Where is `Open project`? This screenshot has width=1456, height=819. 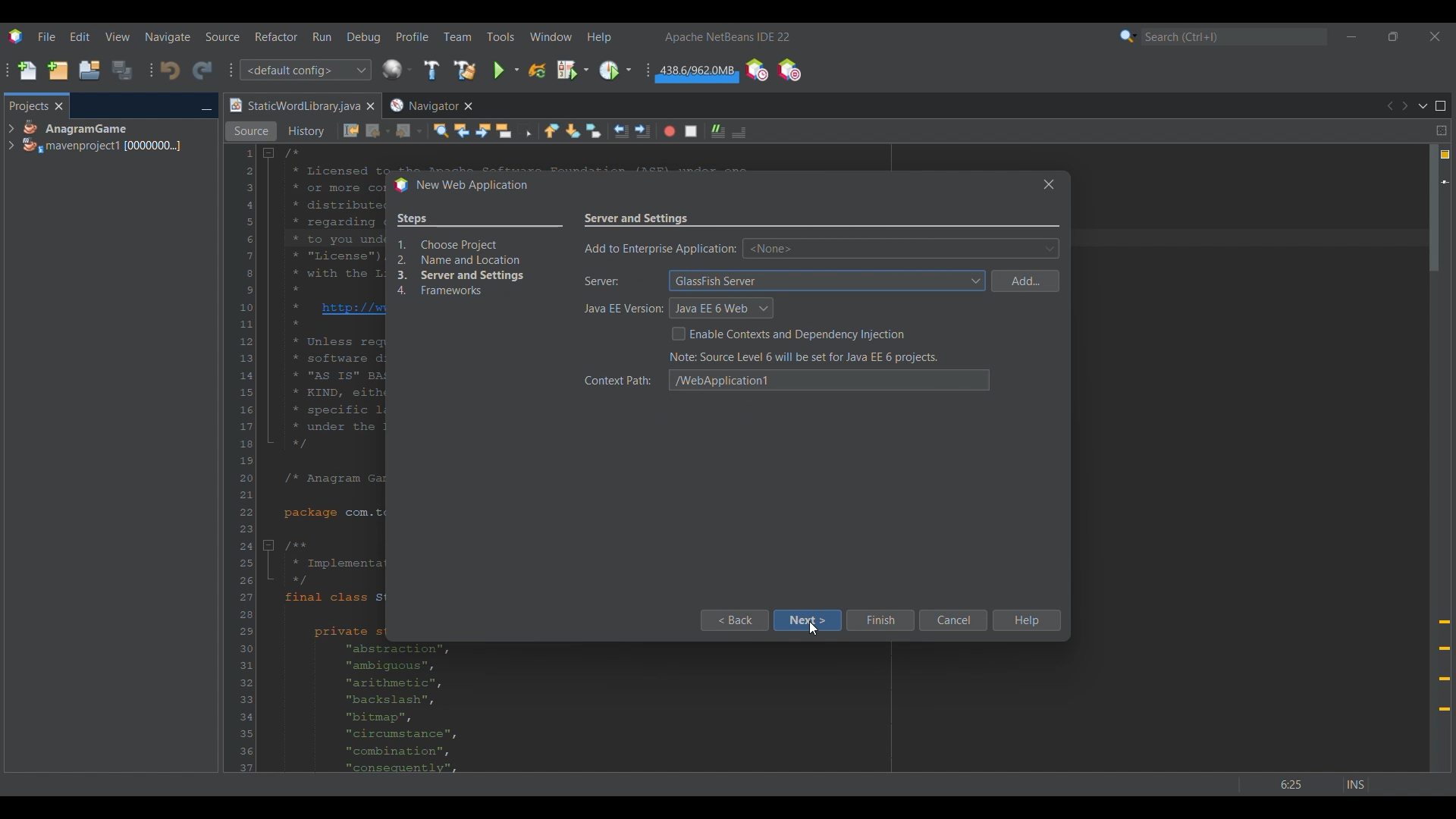 Open project is located at coordinates (89, 70).